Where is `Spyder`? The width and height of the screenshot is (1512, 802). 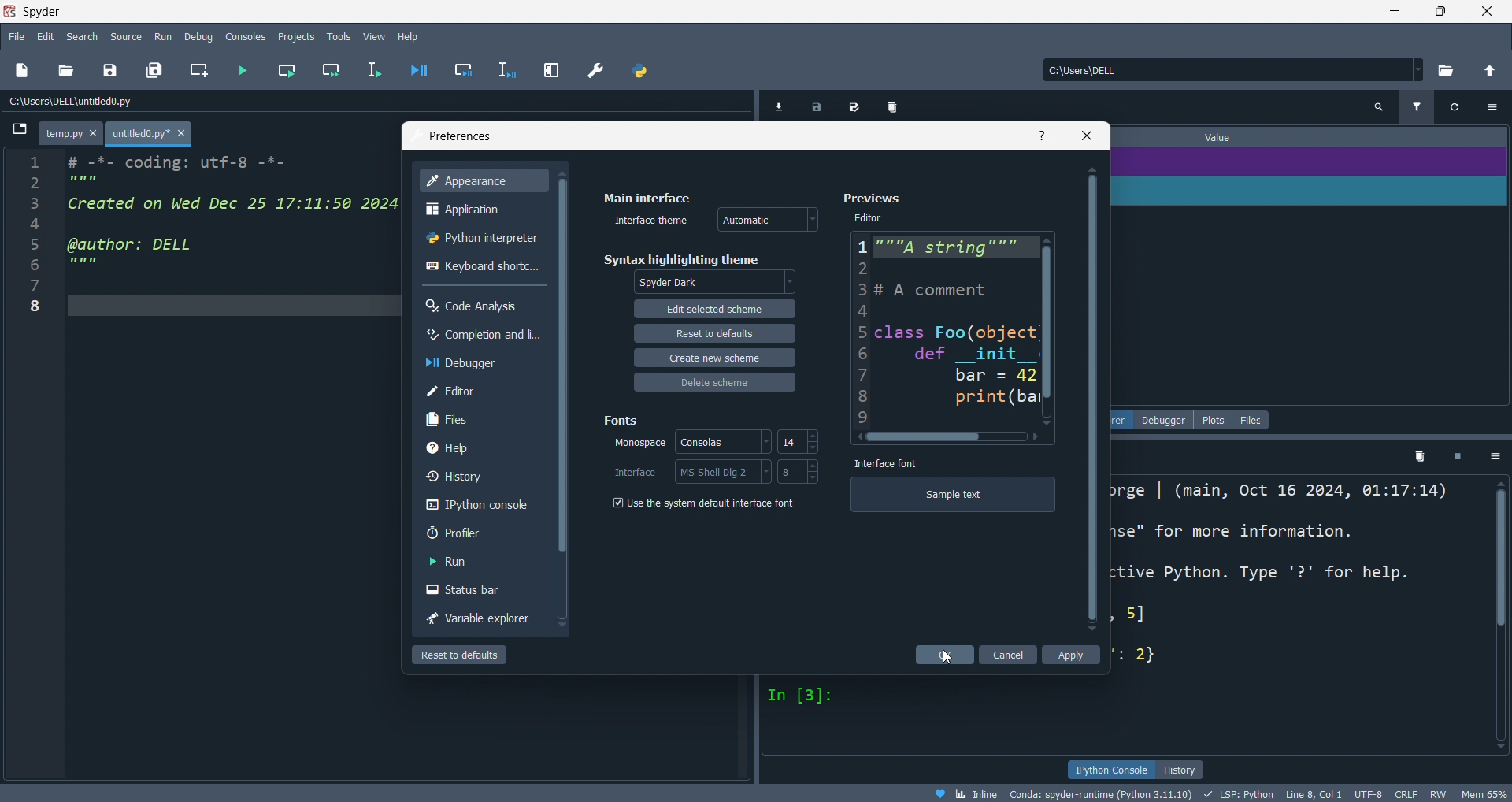 Spyder is located at coordinates (682, 10).